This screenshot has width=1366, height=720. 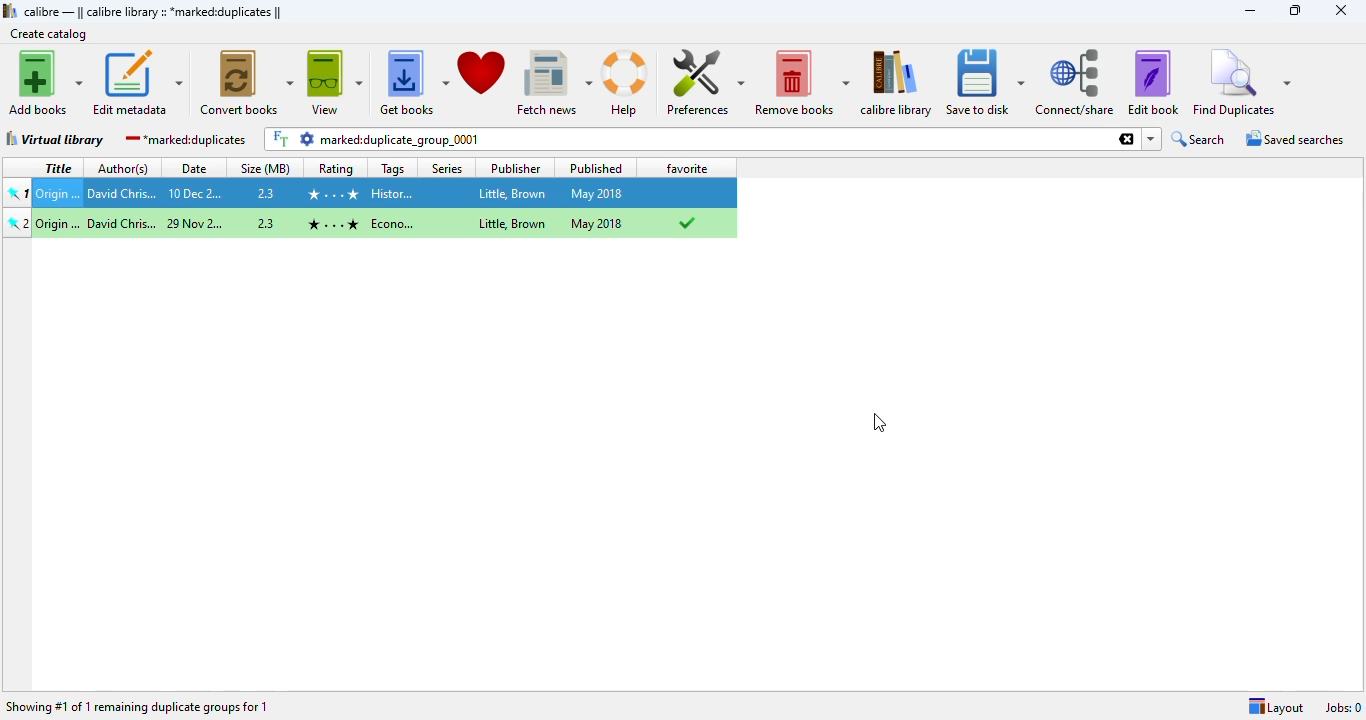 I want to click on rating, so click(x=333, y=167).